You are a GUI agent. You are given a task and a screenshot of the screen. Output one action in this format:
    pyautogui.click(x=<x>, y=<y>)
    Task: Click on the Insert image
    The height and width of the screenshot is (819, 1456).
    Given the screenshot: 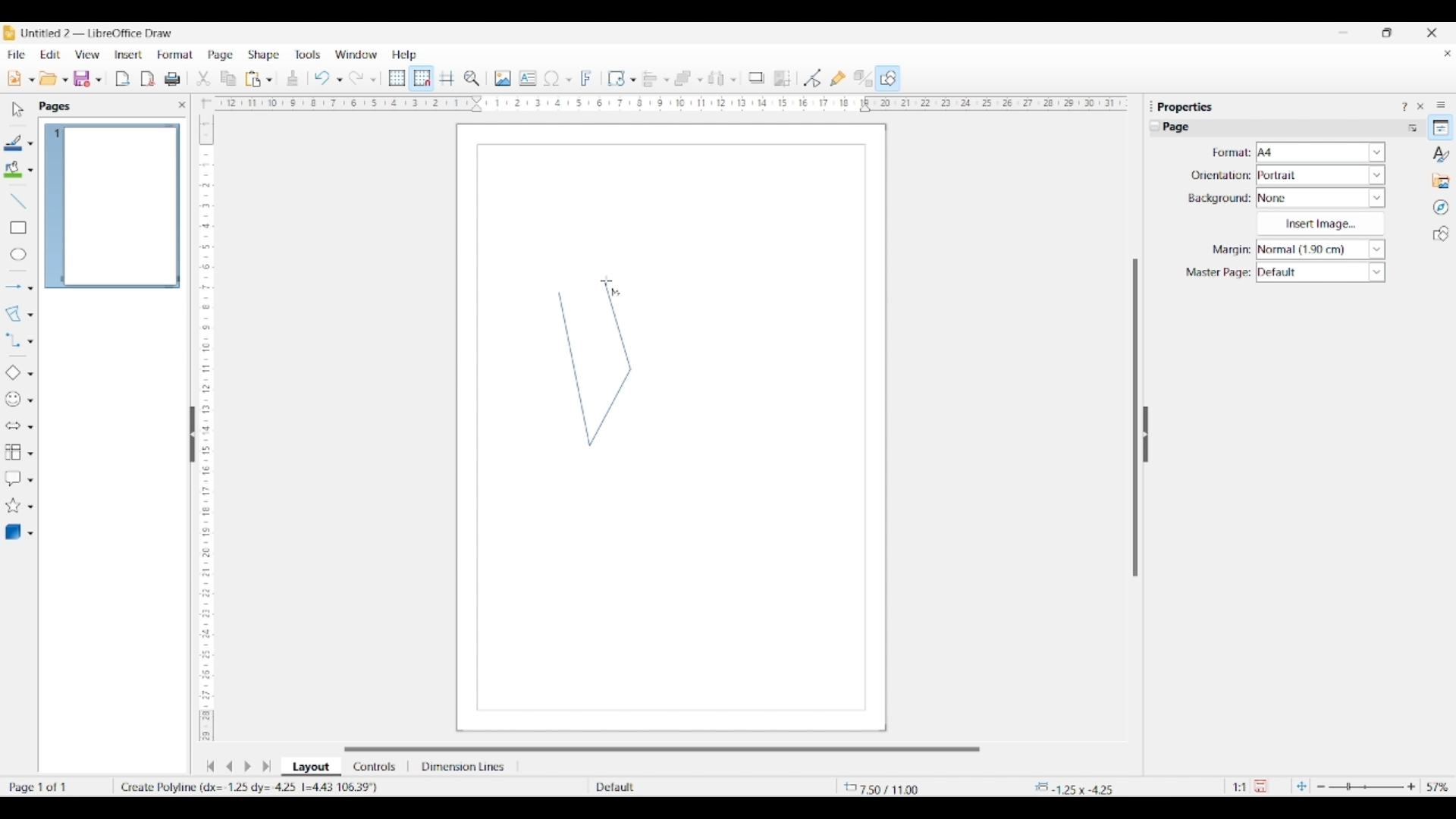 What is the action you would take?
    pyautogui.click(x=1320, y=224)
    